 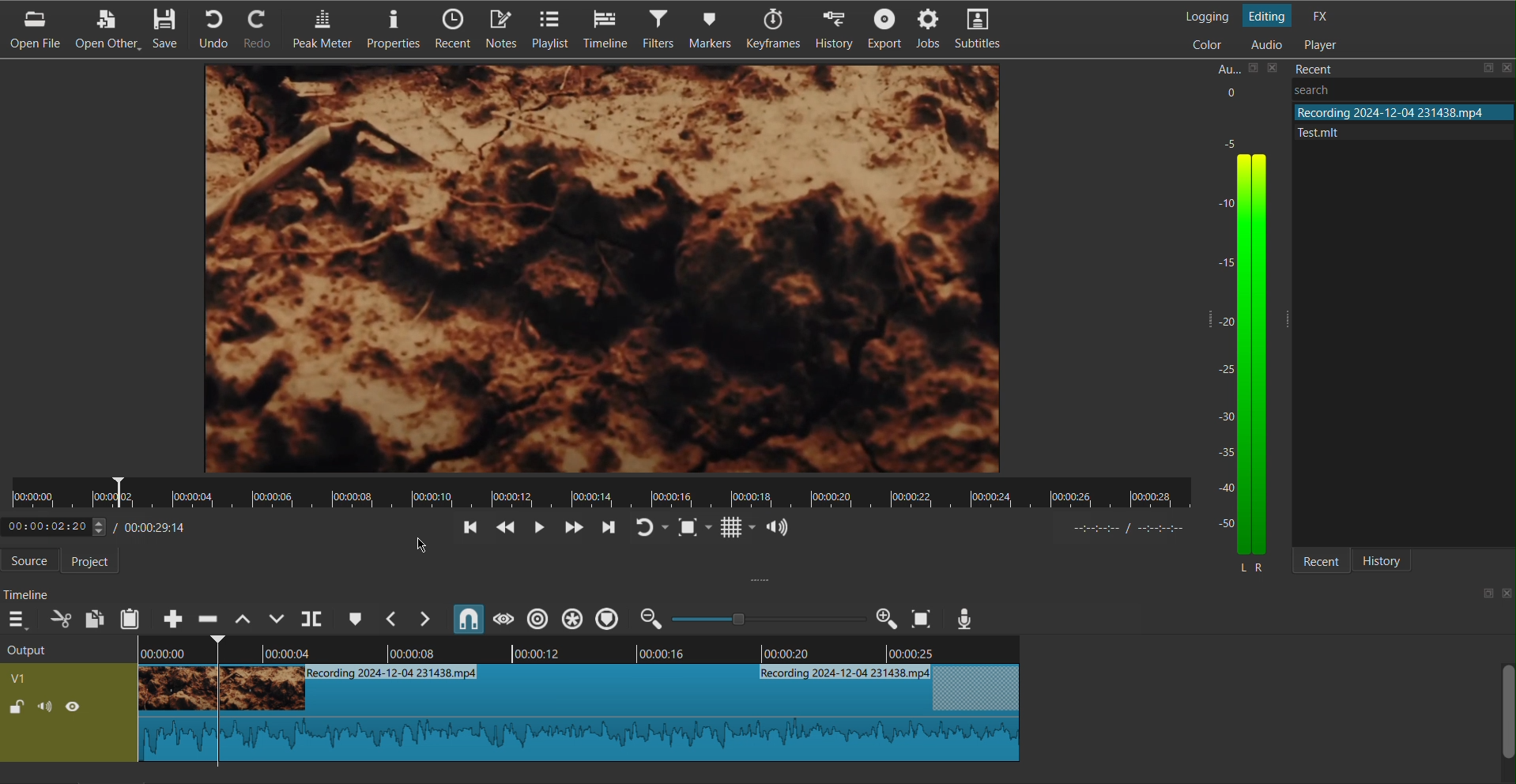 I want to click on , so click(x=1339, y=89).